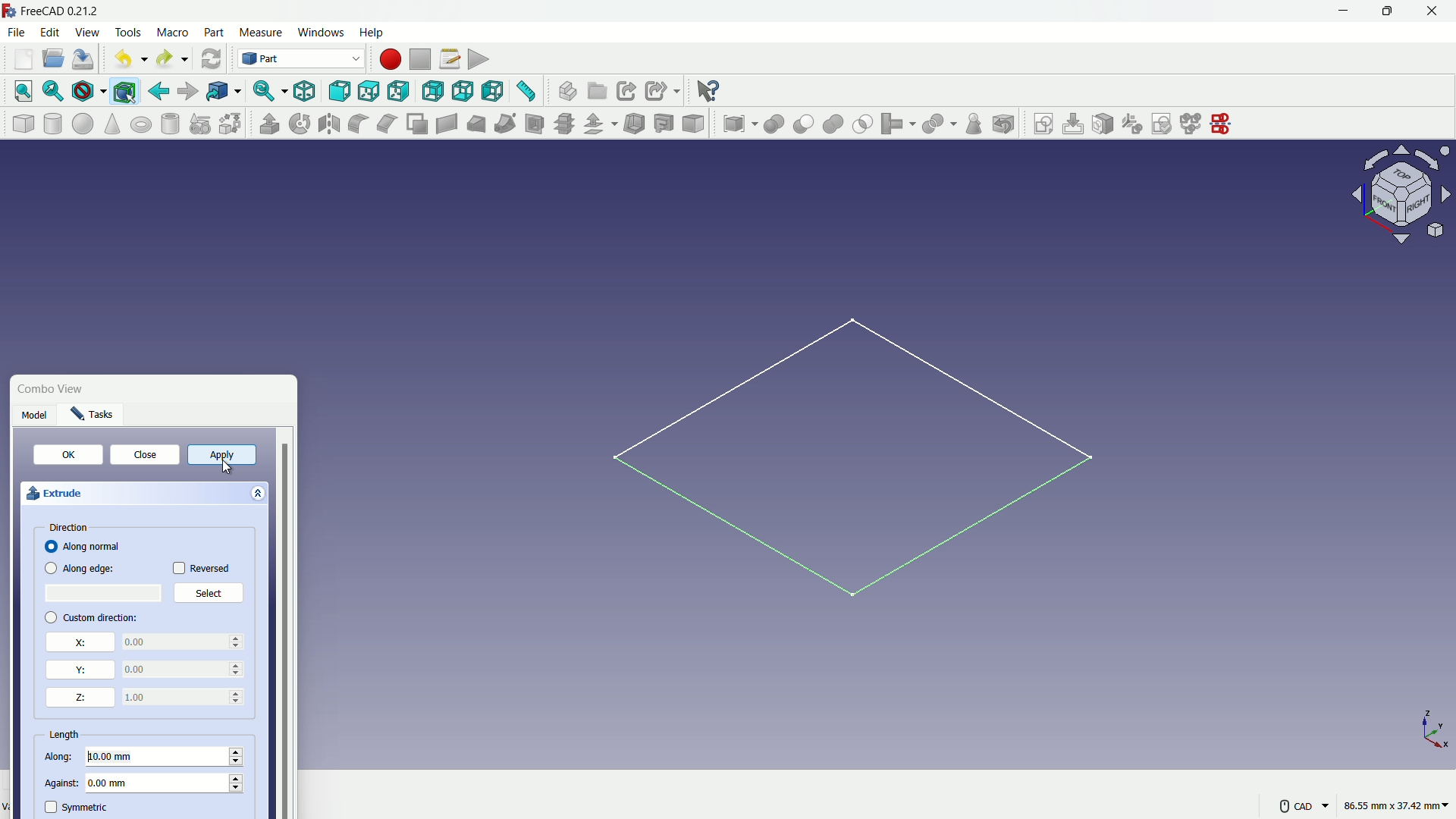 The image size is (1456, 819). Describe the element at coordinates (173, 33) in the screenshot. I see `macro` at that location.